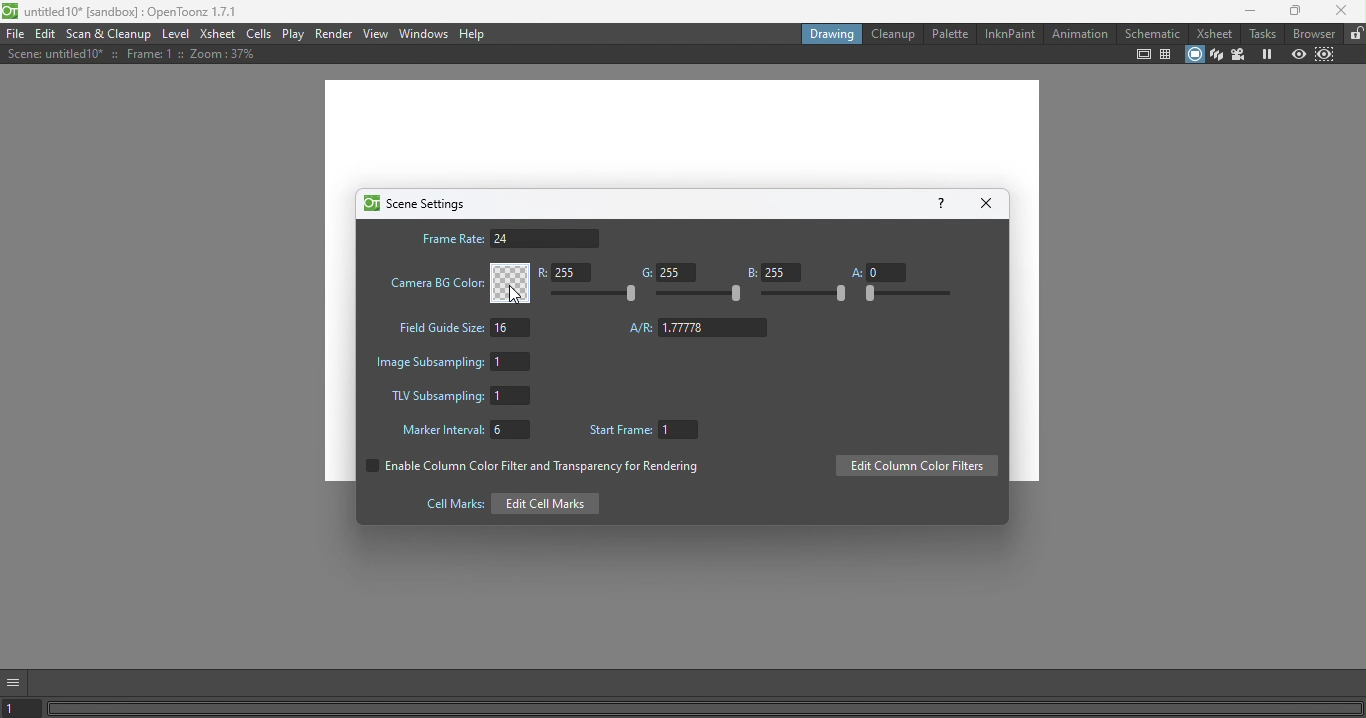 This screenshot has width=1366, height=718. I want to click on 3D view, so click(1215, 53).